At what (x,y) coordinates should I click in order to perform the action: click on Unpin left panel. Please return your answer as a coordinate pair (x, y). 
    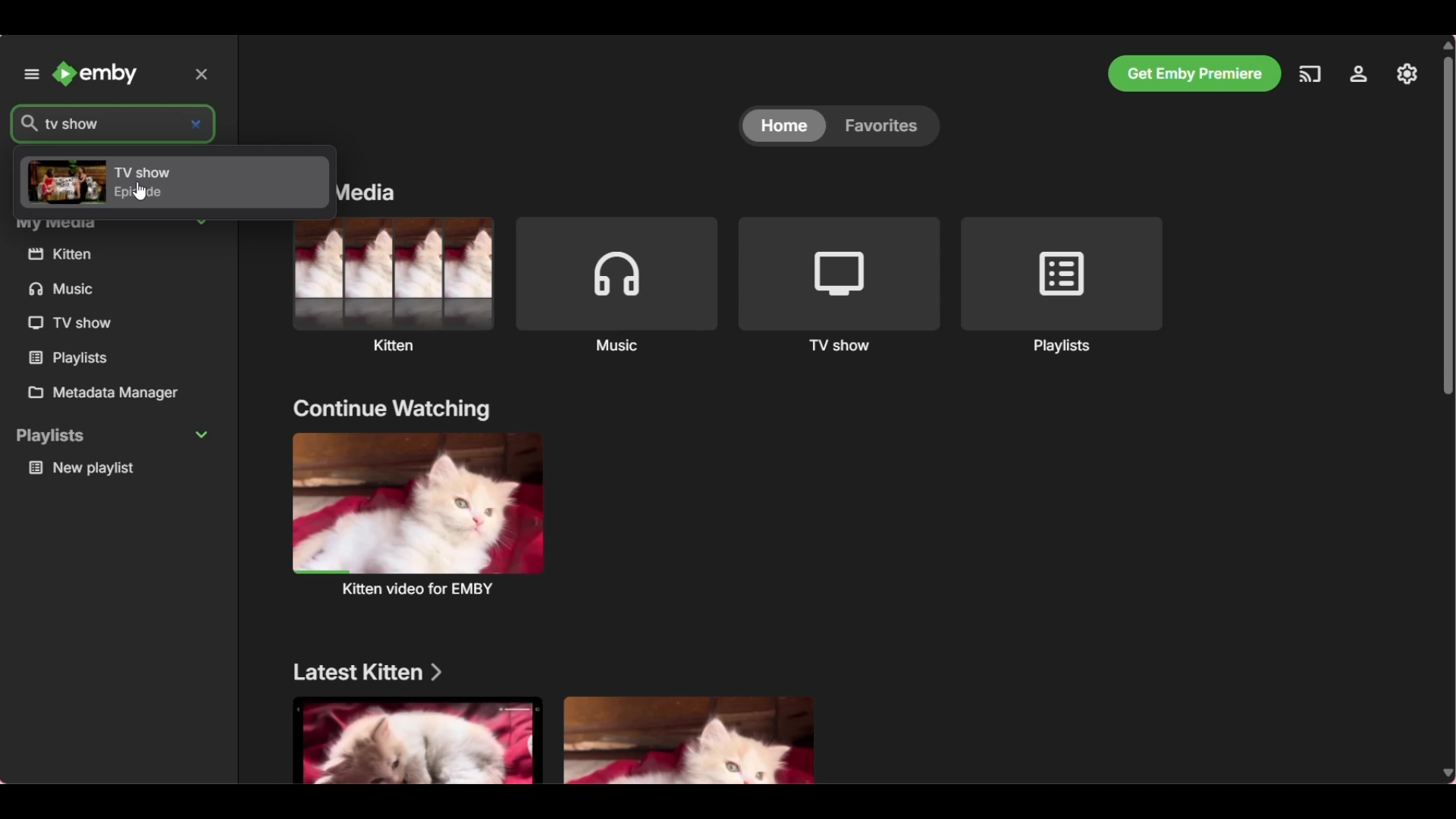
    Looking at the image, I should click on (30, 73).